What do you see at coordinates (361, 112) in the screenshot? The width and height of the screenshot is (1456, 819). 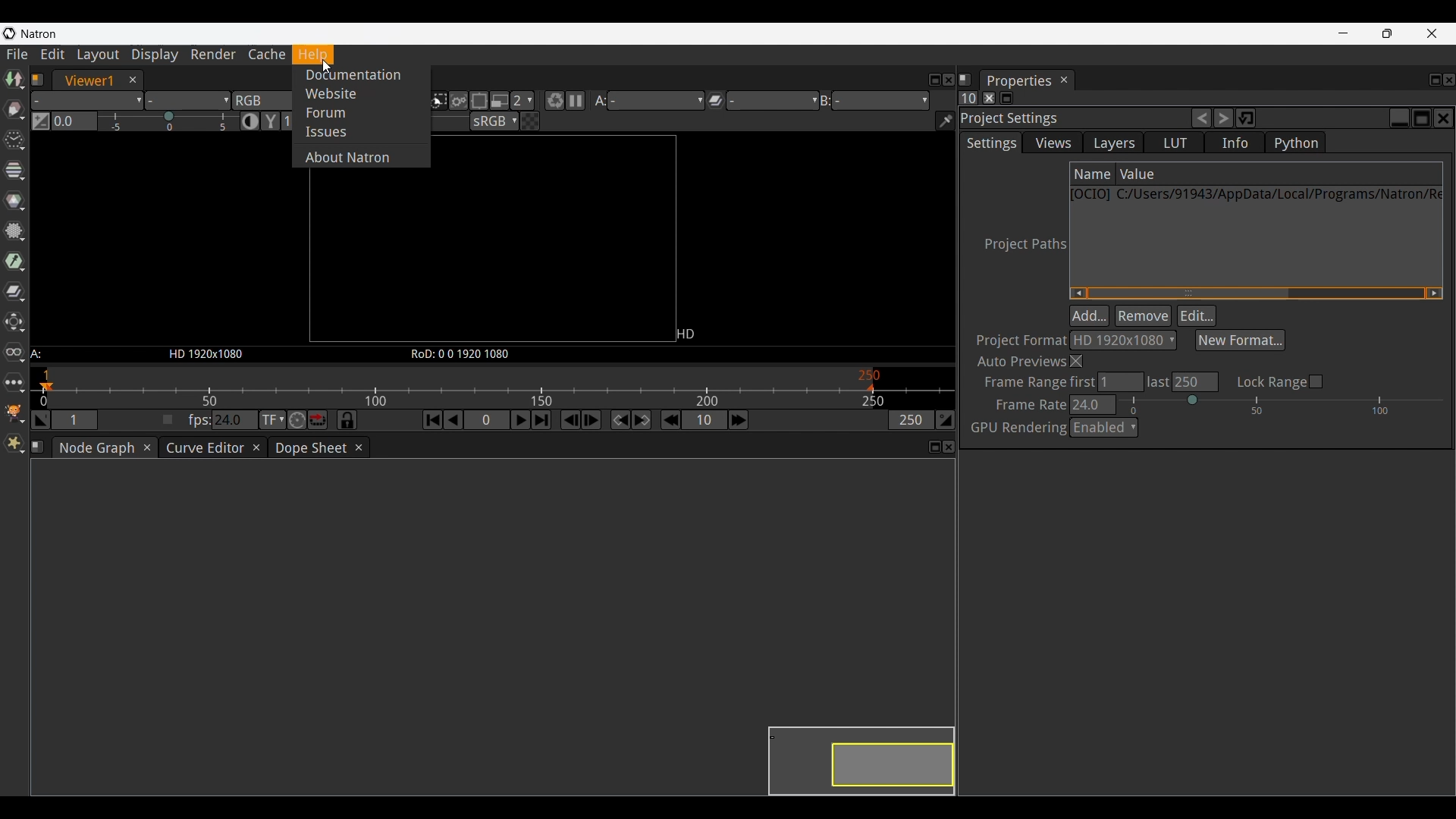 I see `Forum` at bounding box center [361, 112].